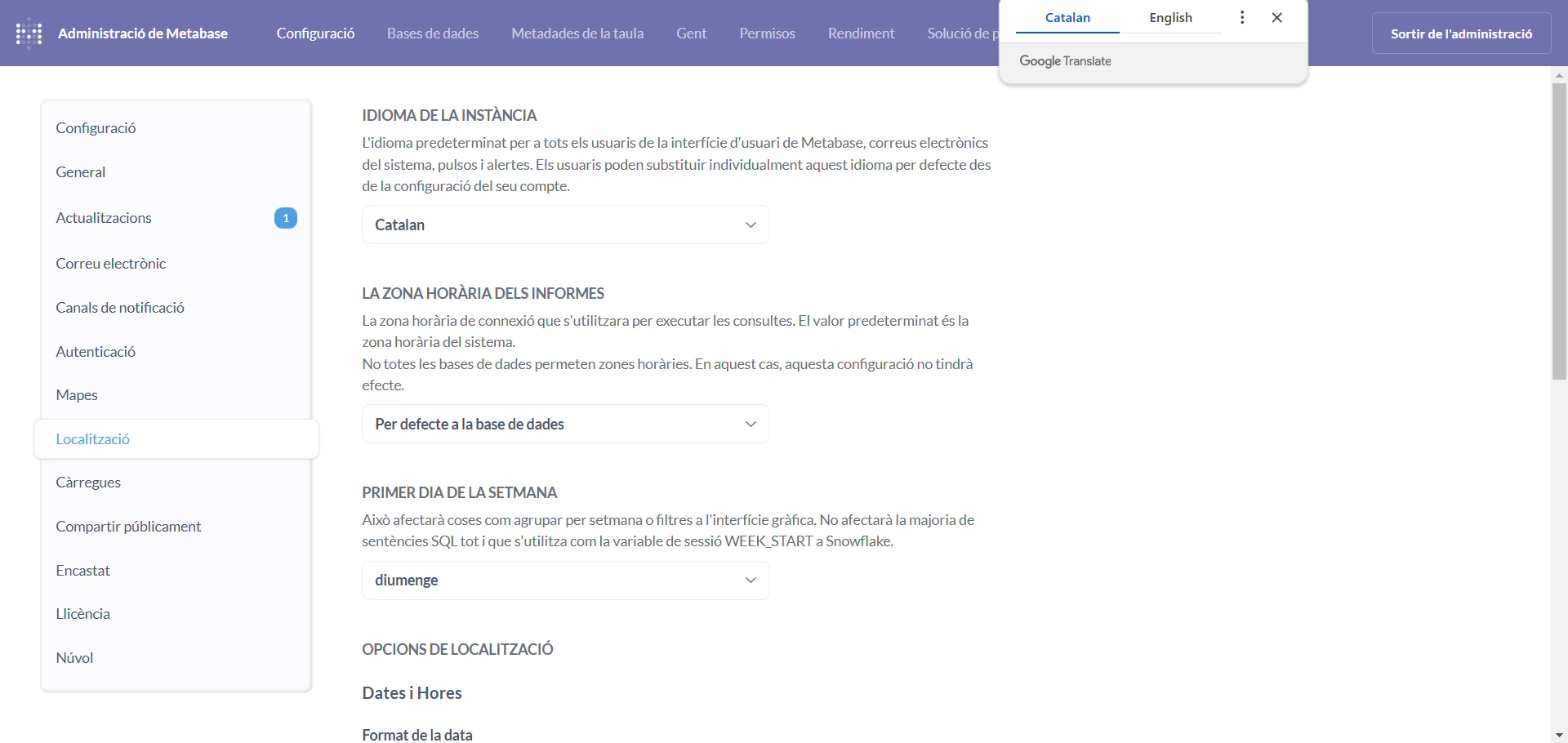 This screenshot has width=1568, height=743. I want to click on google translate, so click(1155, 62).